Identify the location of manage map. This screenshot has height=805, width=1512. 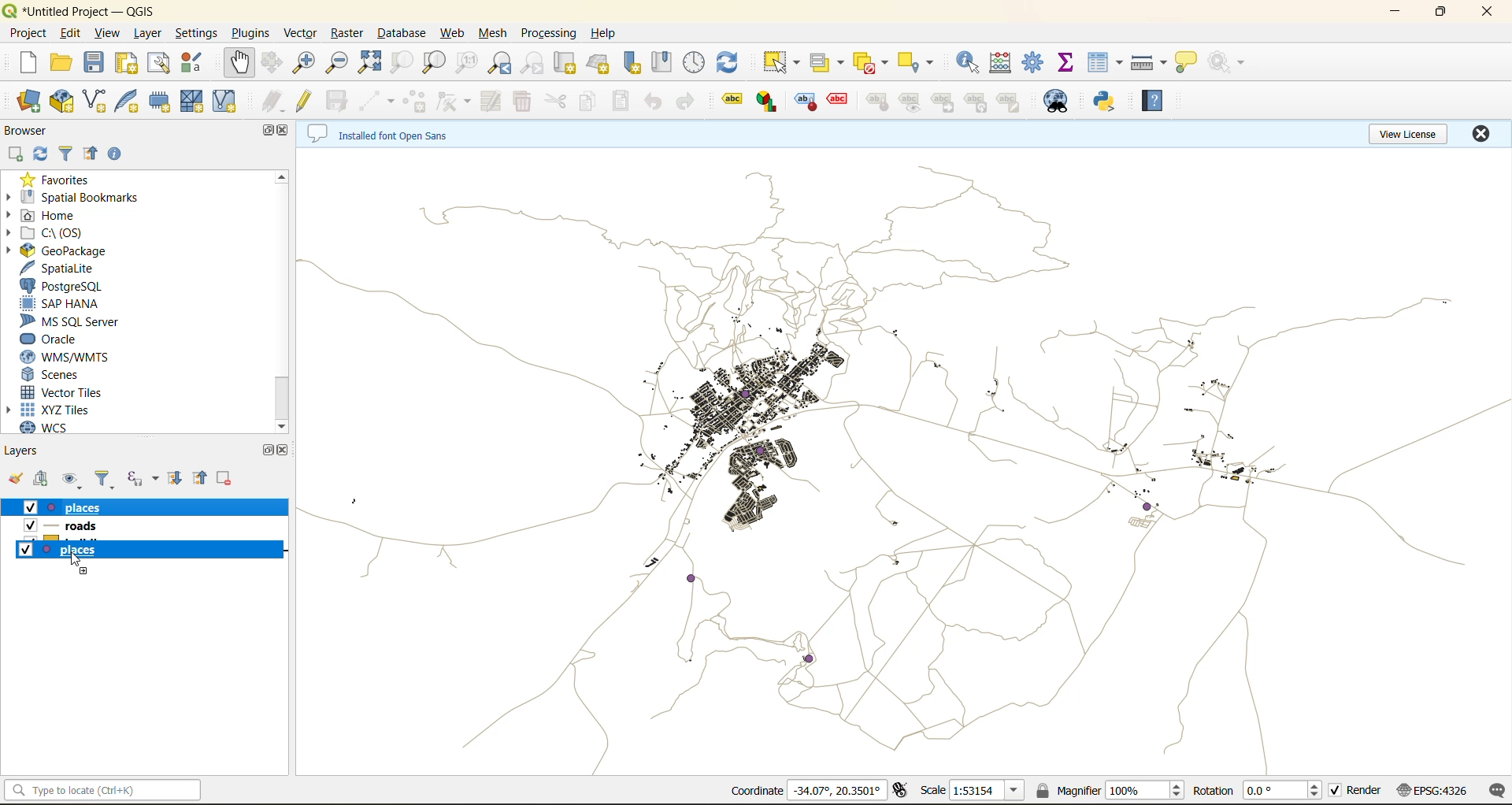
(74, 478).